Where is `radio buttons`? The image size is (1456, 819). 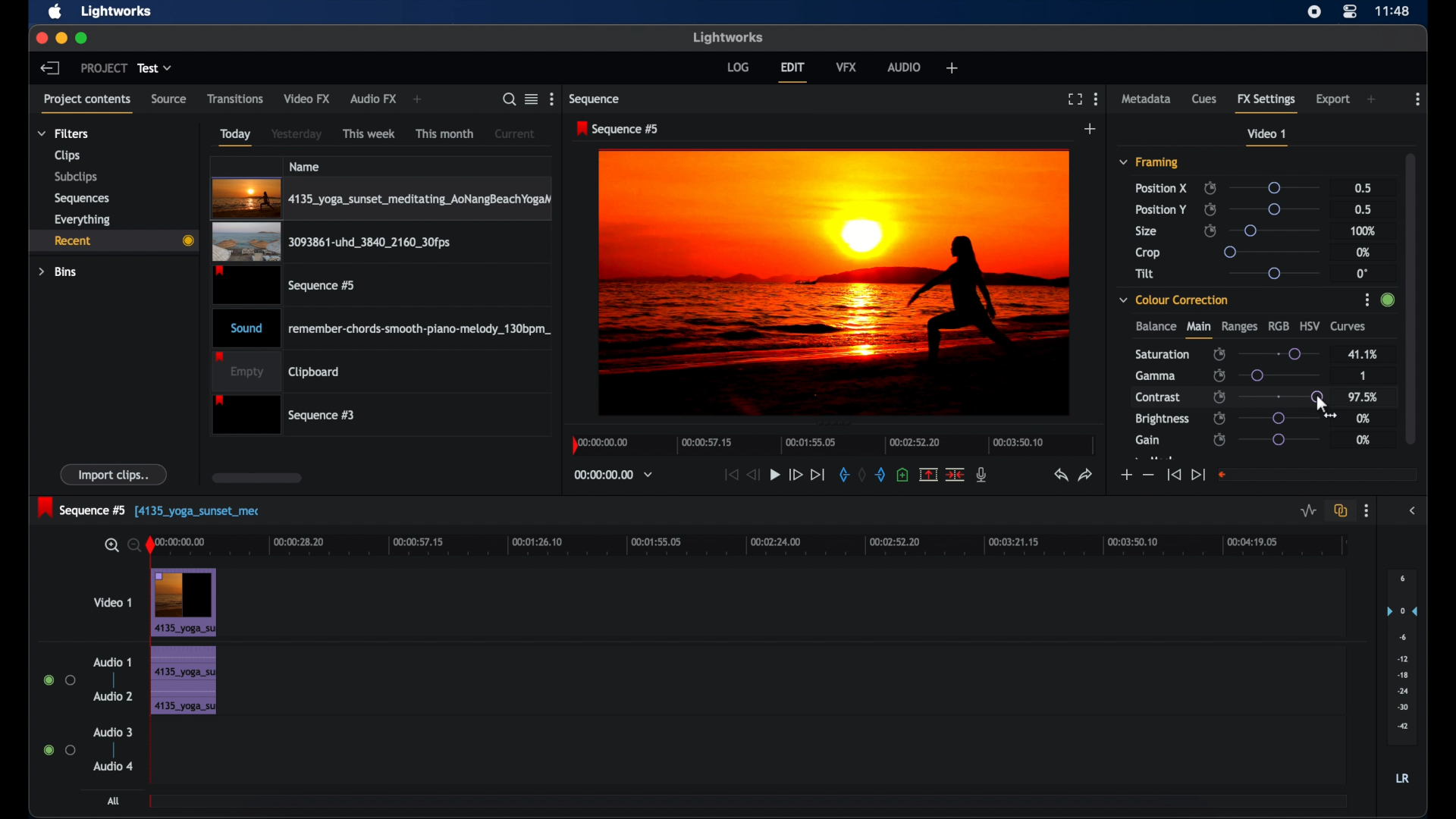 radio buttons is located at coordinates (60, 680).